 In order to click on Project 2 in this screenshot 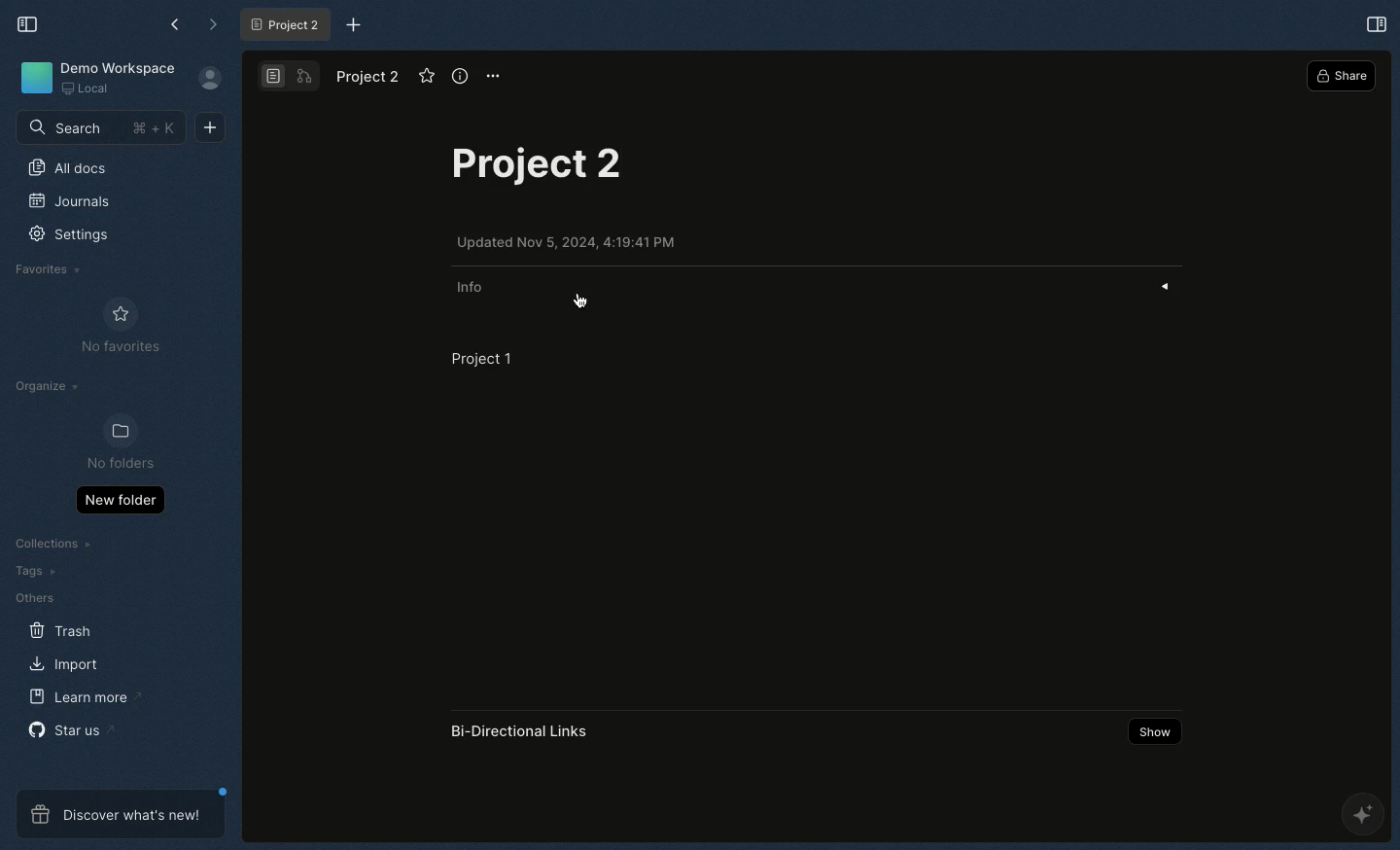, I will do `click(290, 24)`.